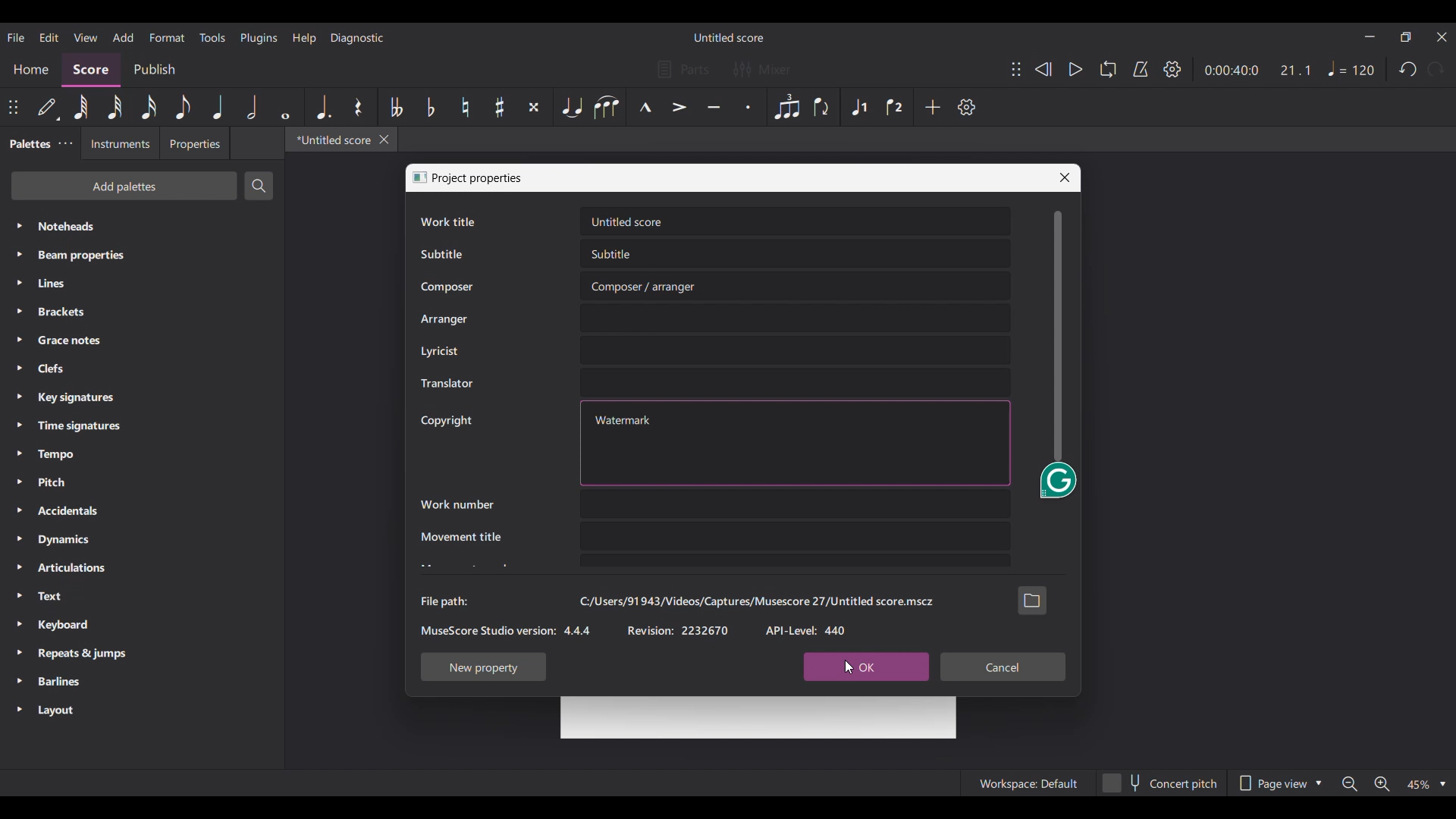 The width and height of the screenshot is (1456, 819). I want to click on Text box for Translator, so click(795, 382).